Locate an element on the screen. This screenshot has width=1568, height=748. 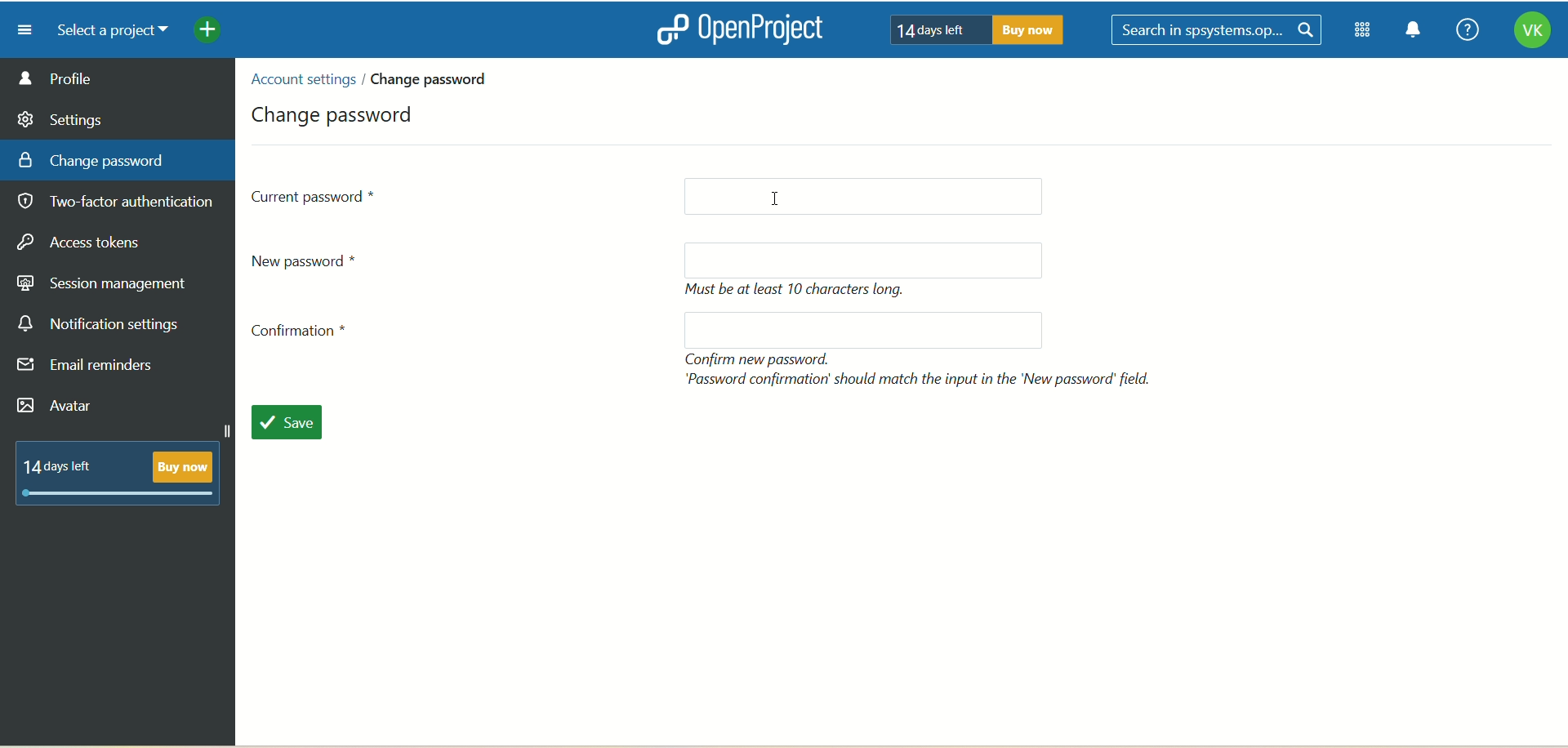
openproject is located at coordinates (736, 29).